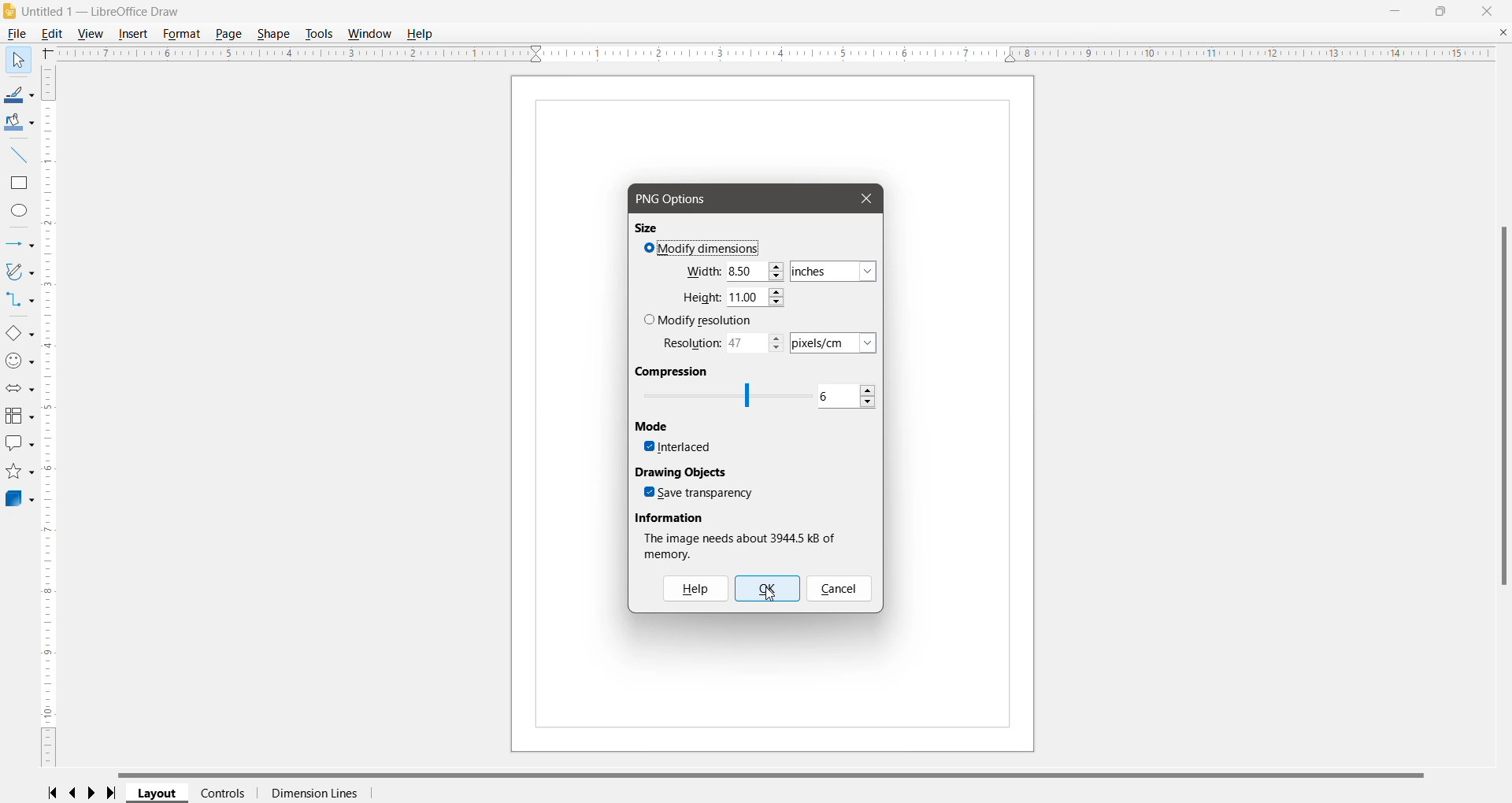 This screenshot has width=1512, height=803. What do you see at coordinates (116, 794) in the screenshot?
I see `Scroll to last page` at bounding box center [116, 794].